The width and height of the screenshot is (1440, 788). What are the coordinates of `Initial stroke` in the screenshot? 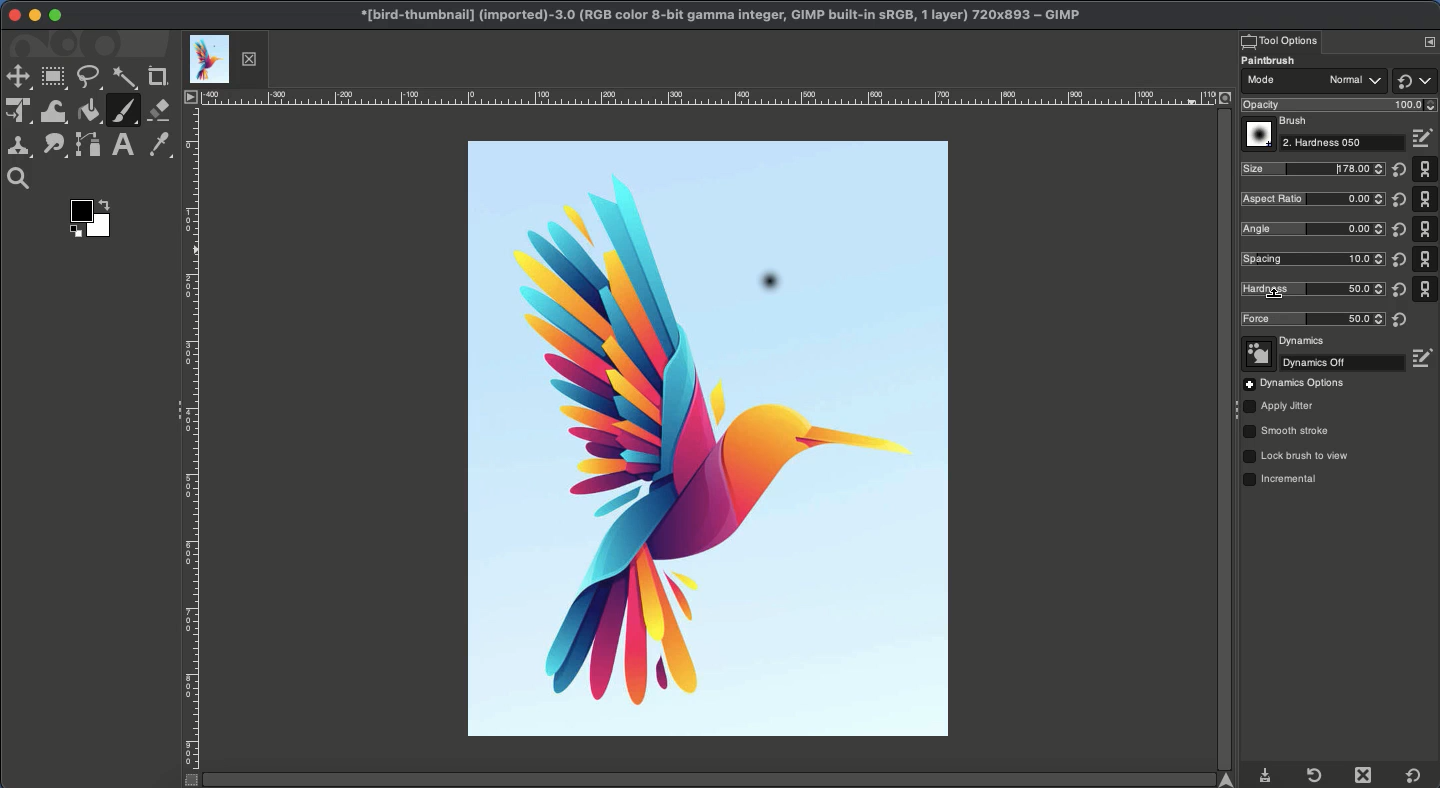 It's located at (768, 287).